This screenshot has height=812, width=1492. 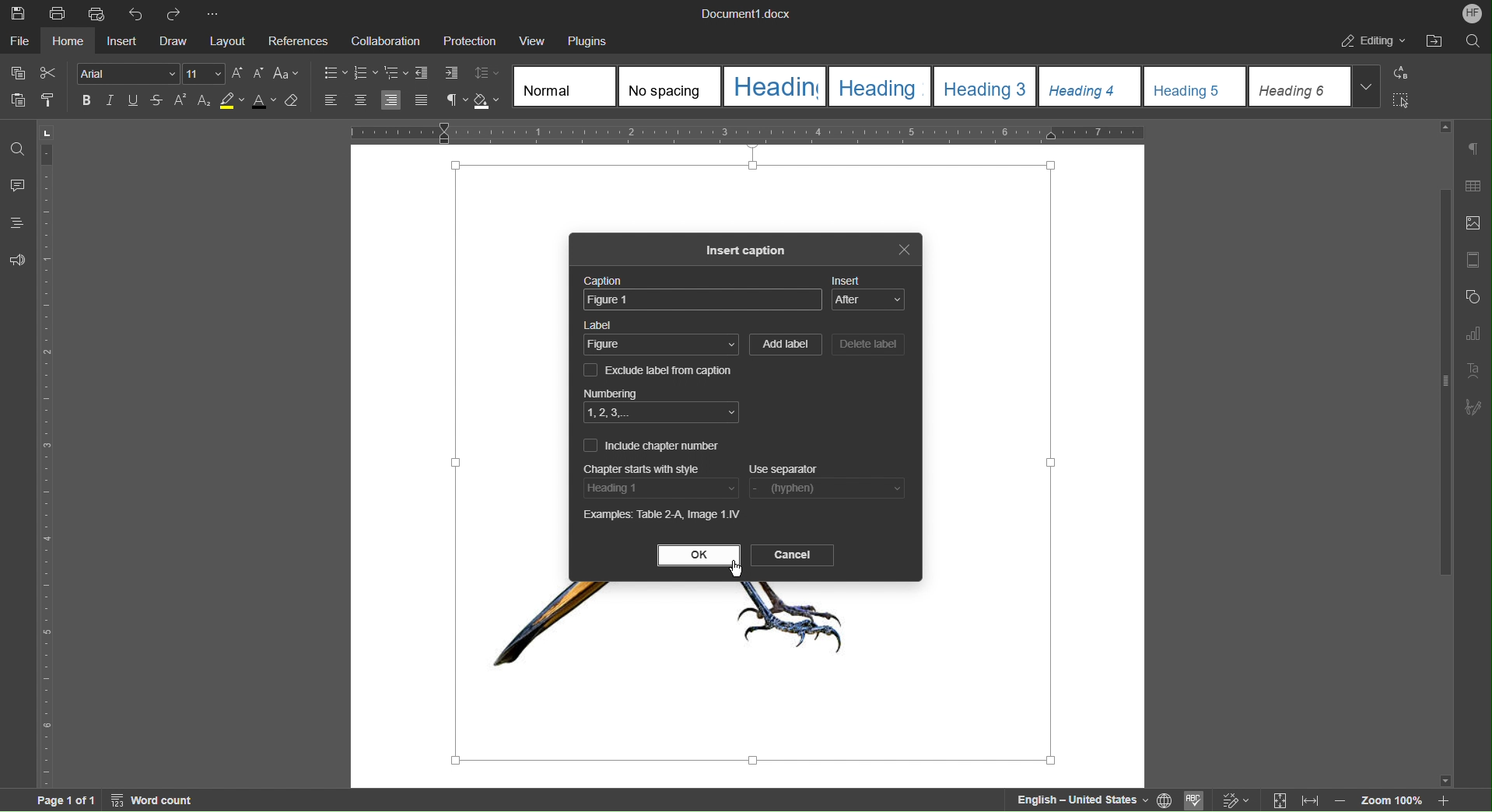 What do you see at coordinates (662, 412) in the screenshot?
I see `1, 2, 3` at bounding box center [662, 412].